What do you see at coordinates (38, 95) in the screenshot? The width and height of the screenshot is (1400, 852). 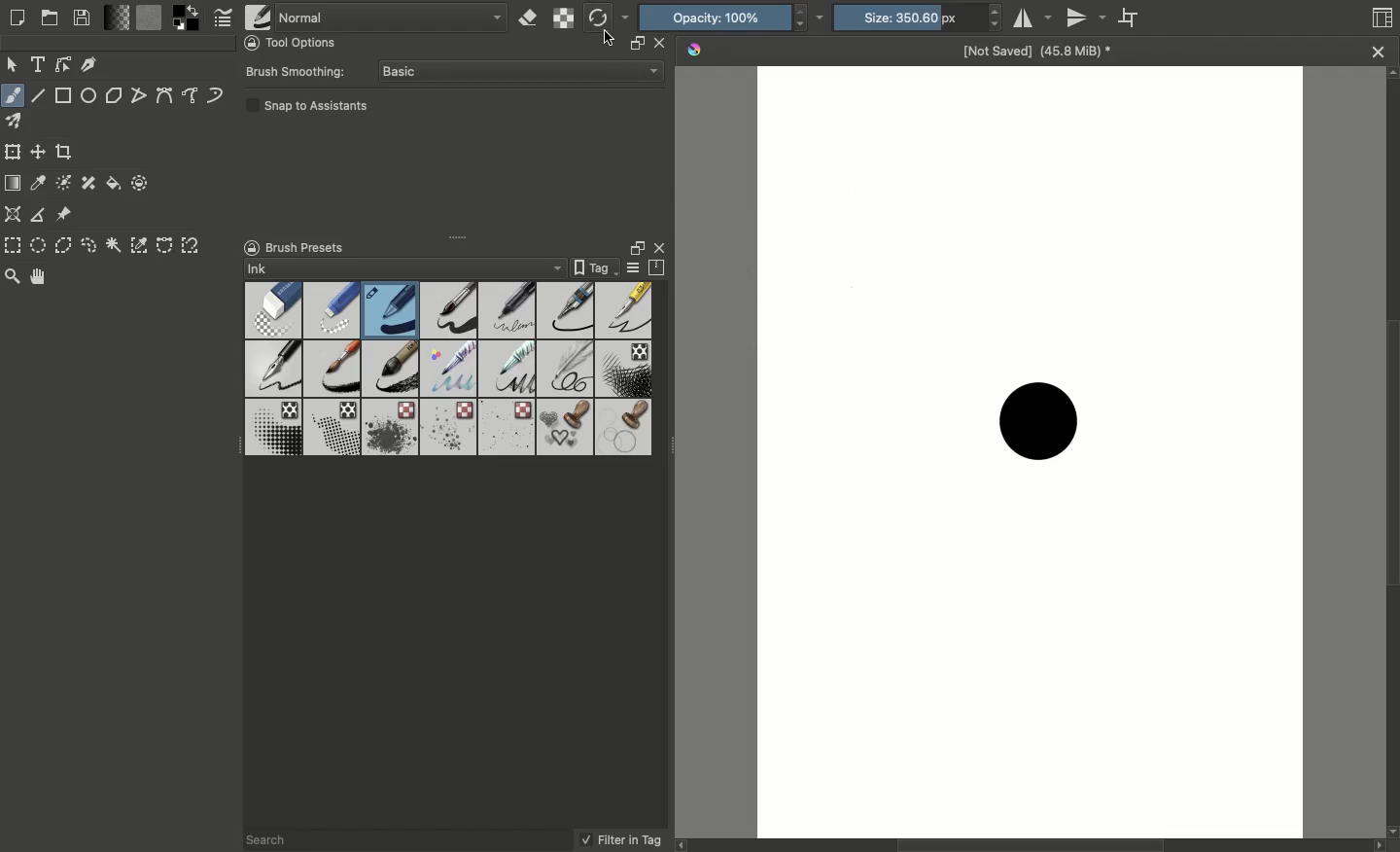 I see `Line` at bounding box center [38, 95].